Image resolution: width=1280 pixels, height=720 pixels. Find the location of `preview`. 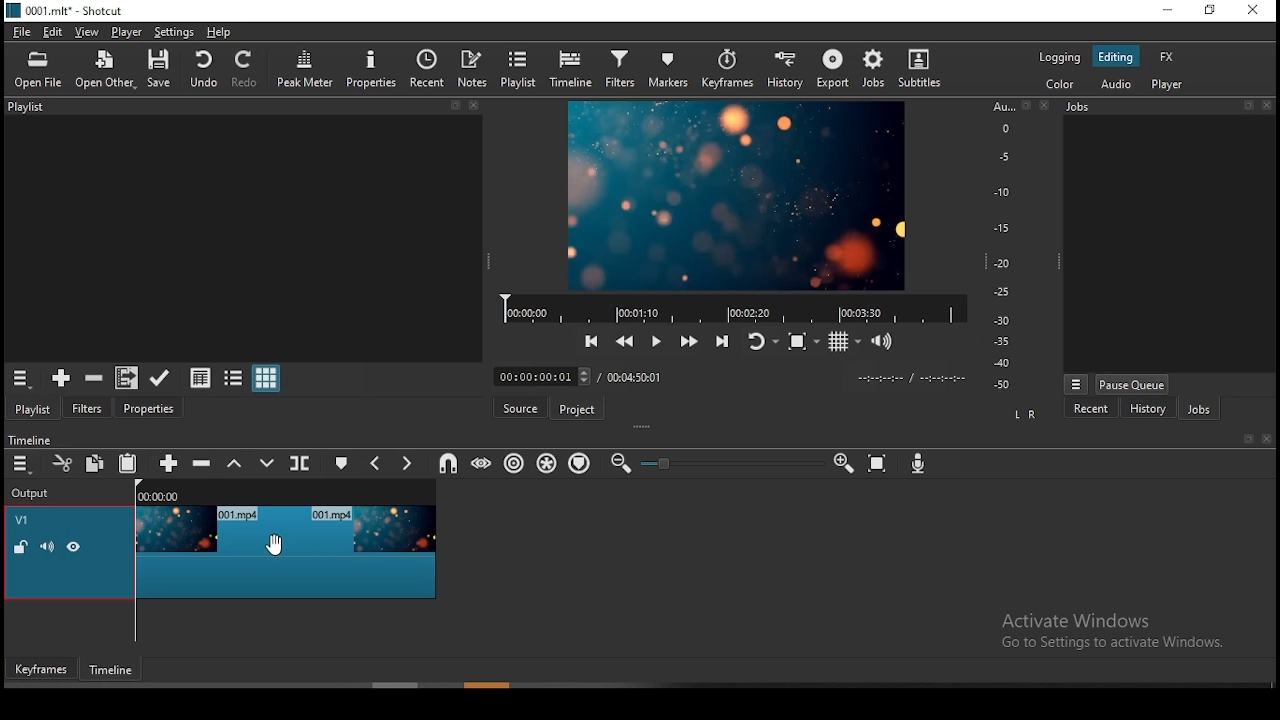

preview is located at coordinates (737, 192).